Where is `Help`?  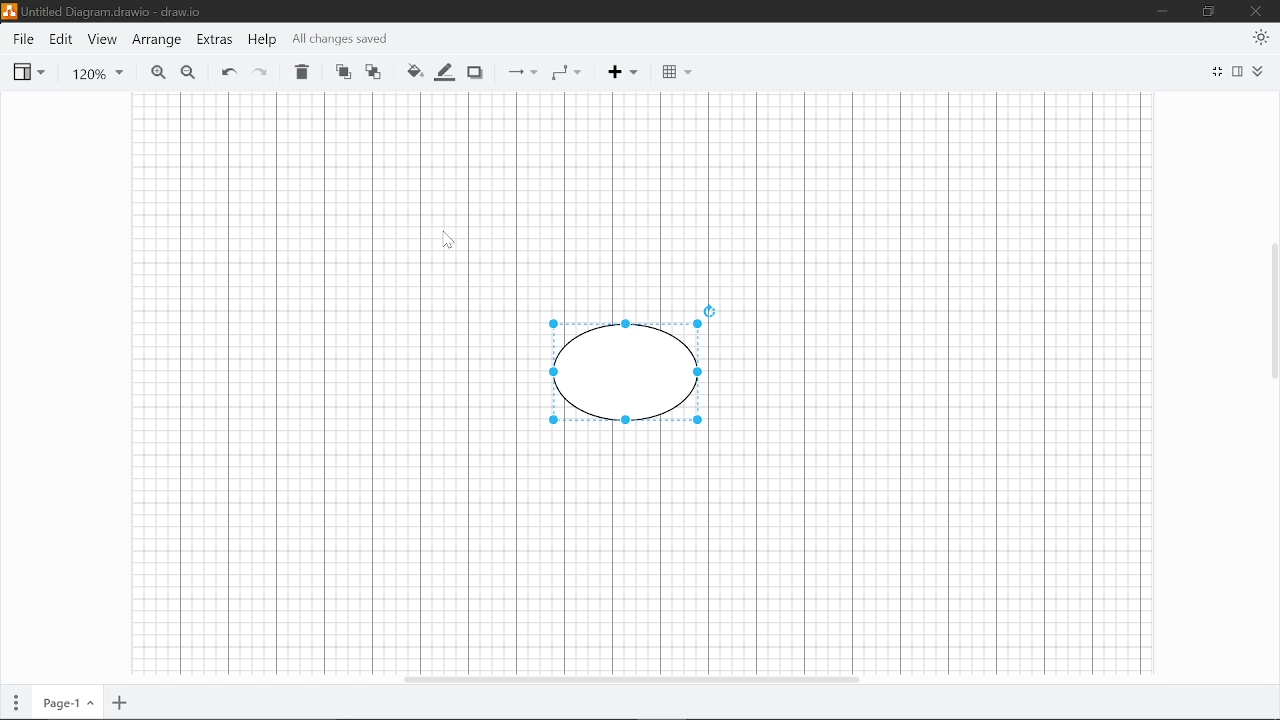 Help is located at coordinates (261, 39).